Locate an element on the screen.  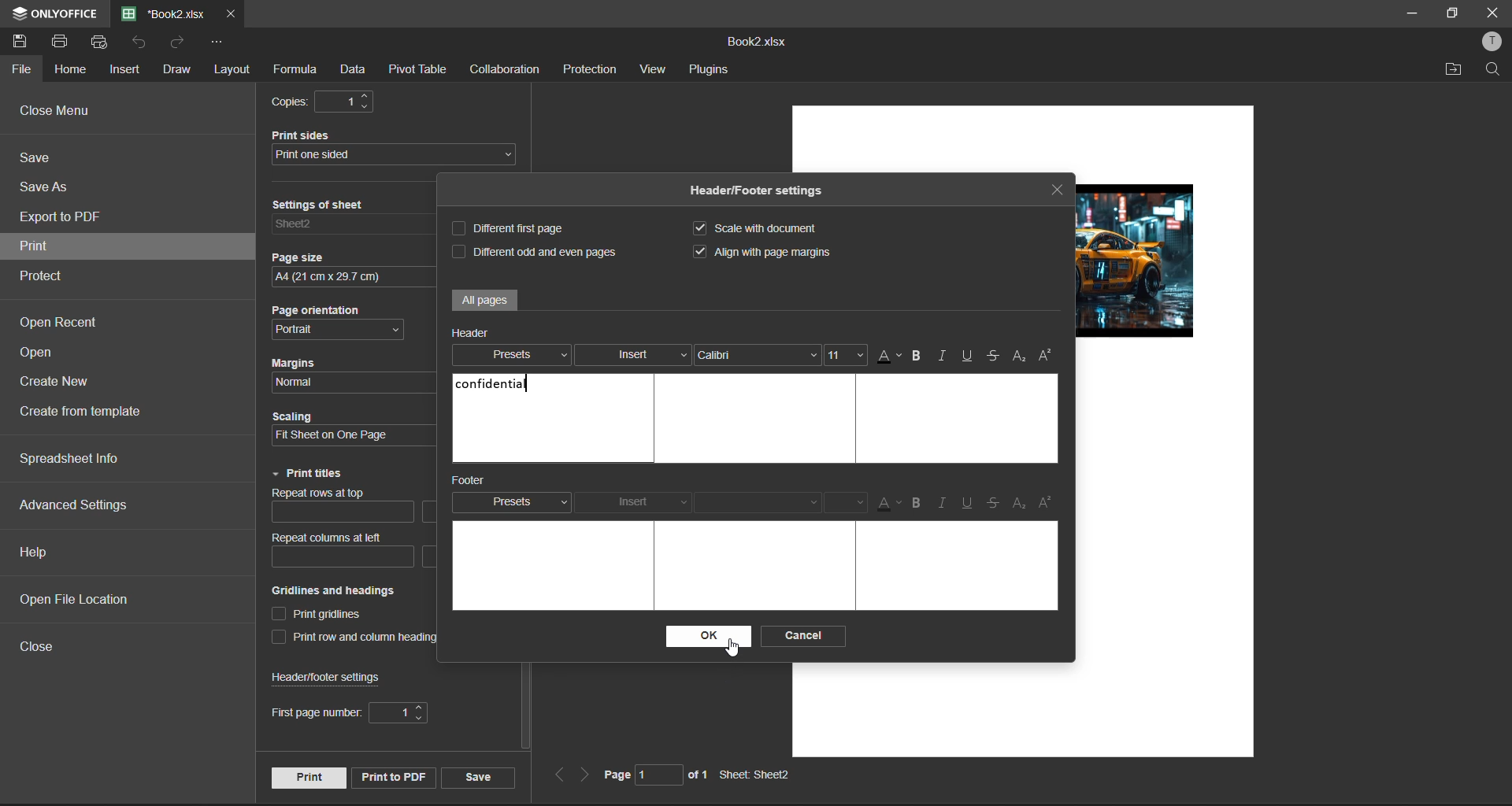
profile is located at coordinates (1488, 43).